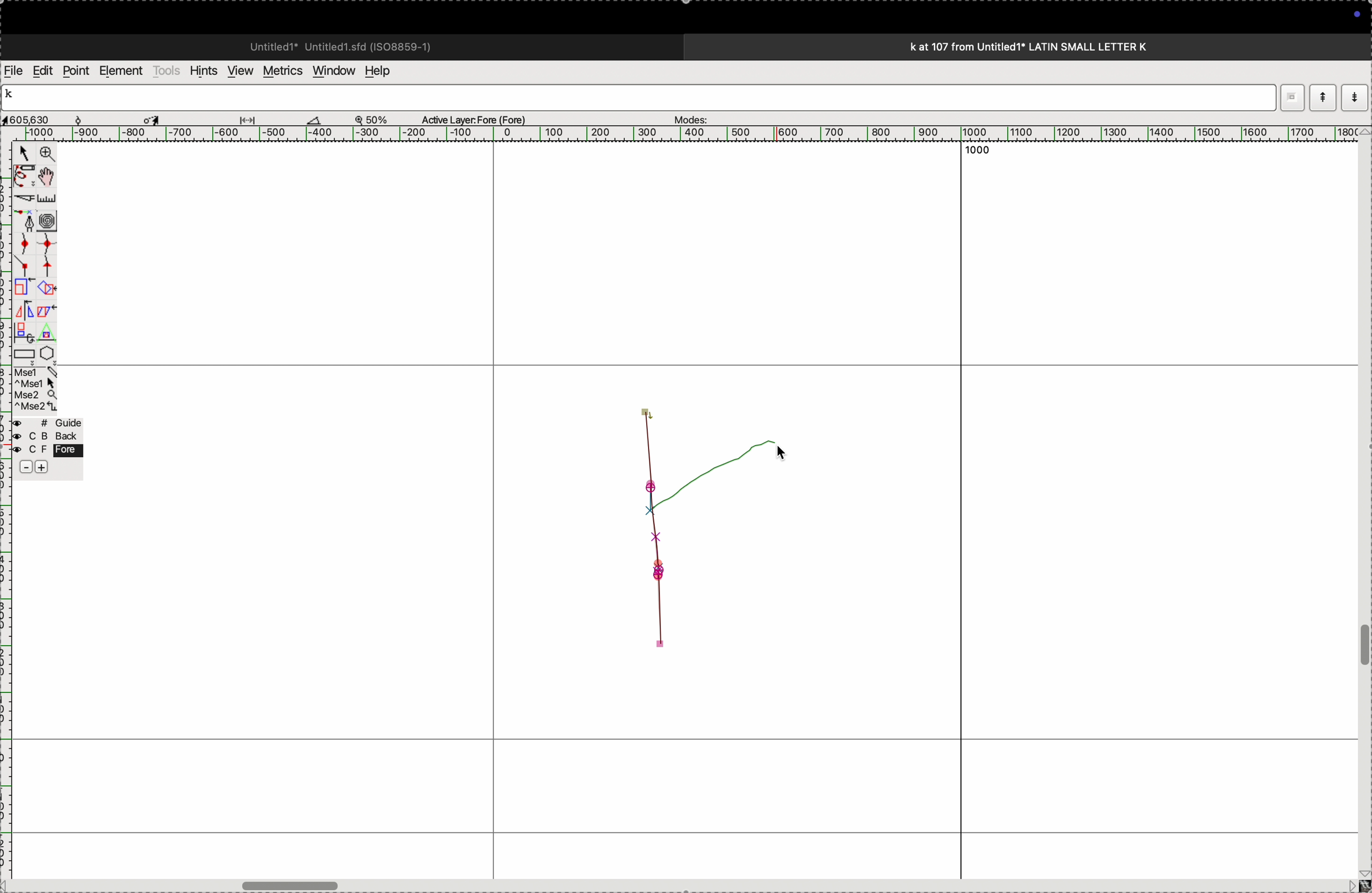 Image resolution: width=1372 pixels, height=893 pixels. Describe the element at coordinates (688, 527) in the screenshot. I see `random lines` at that location.